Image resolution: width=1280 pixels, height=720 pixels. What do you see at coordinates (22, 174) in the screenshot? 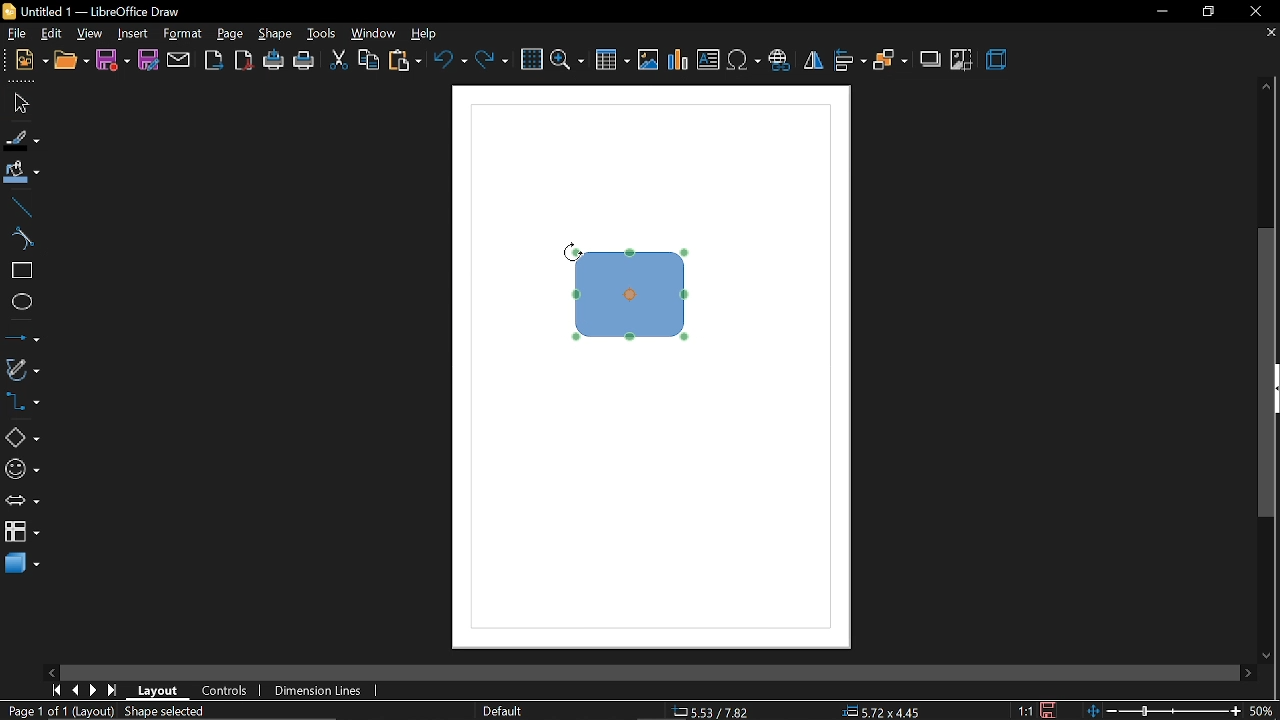
I see `fill color` at bounding box center [22, 174].